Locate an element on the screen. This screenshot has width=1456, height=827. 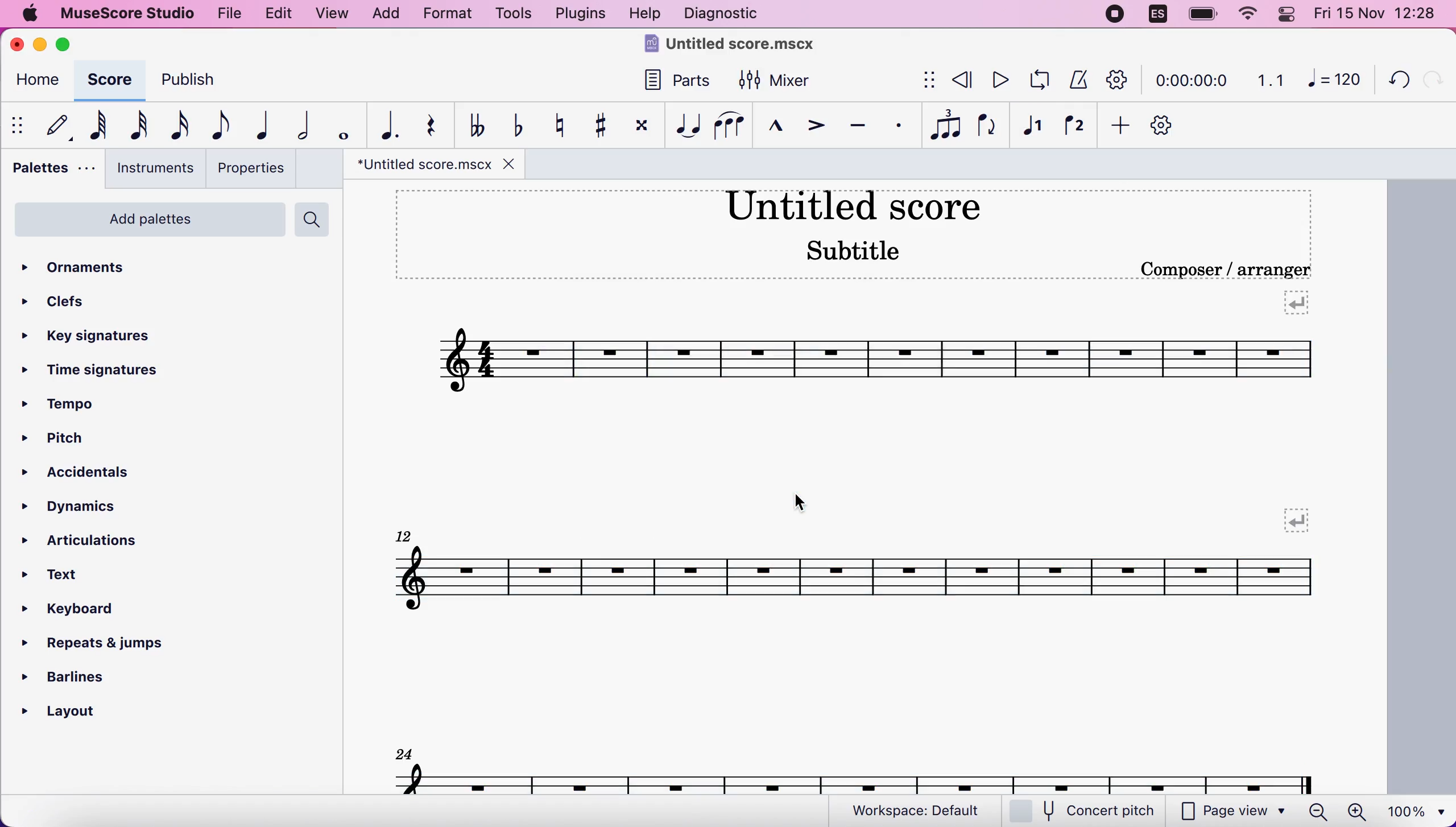
clefs is located at coordinates (57, 301).